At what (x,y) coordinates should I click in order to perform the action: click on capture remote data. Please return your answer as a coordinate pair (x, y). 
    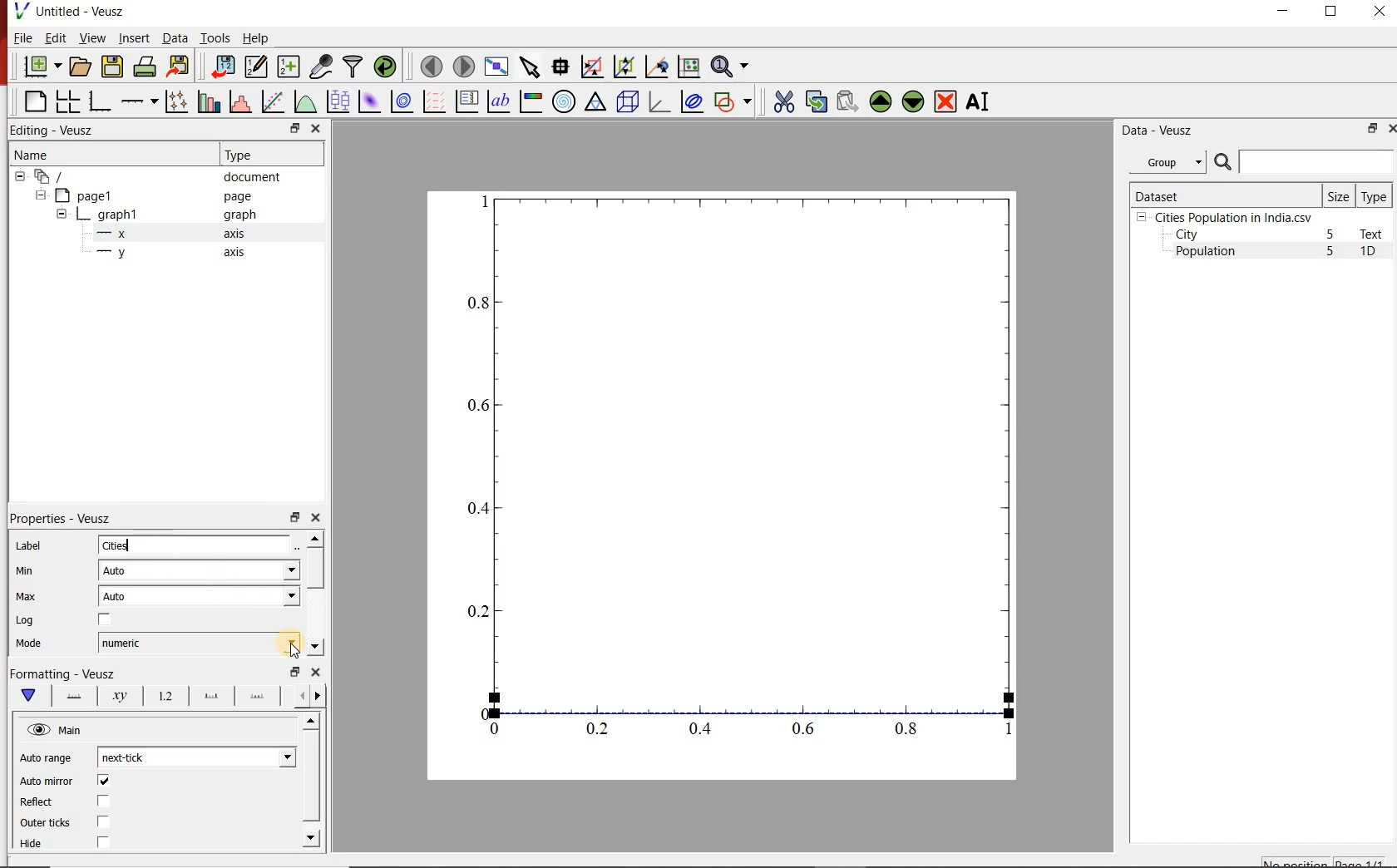
    Looking at the image, I should click on (319, 67).